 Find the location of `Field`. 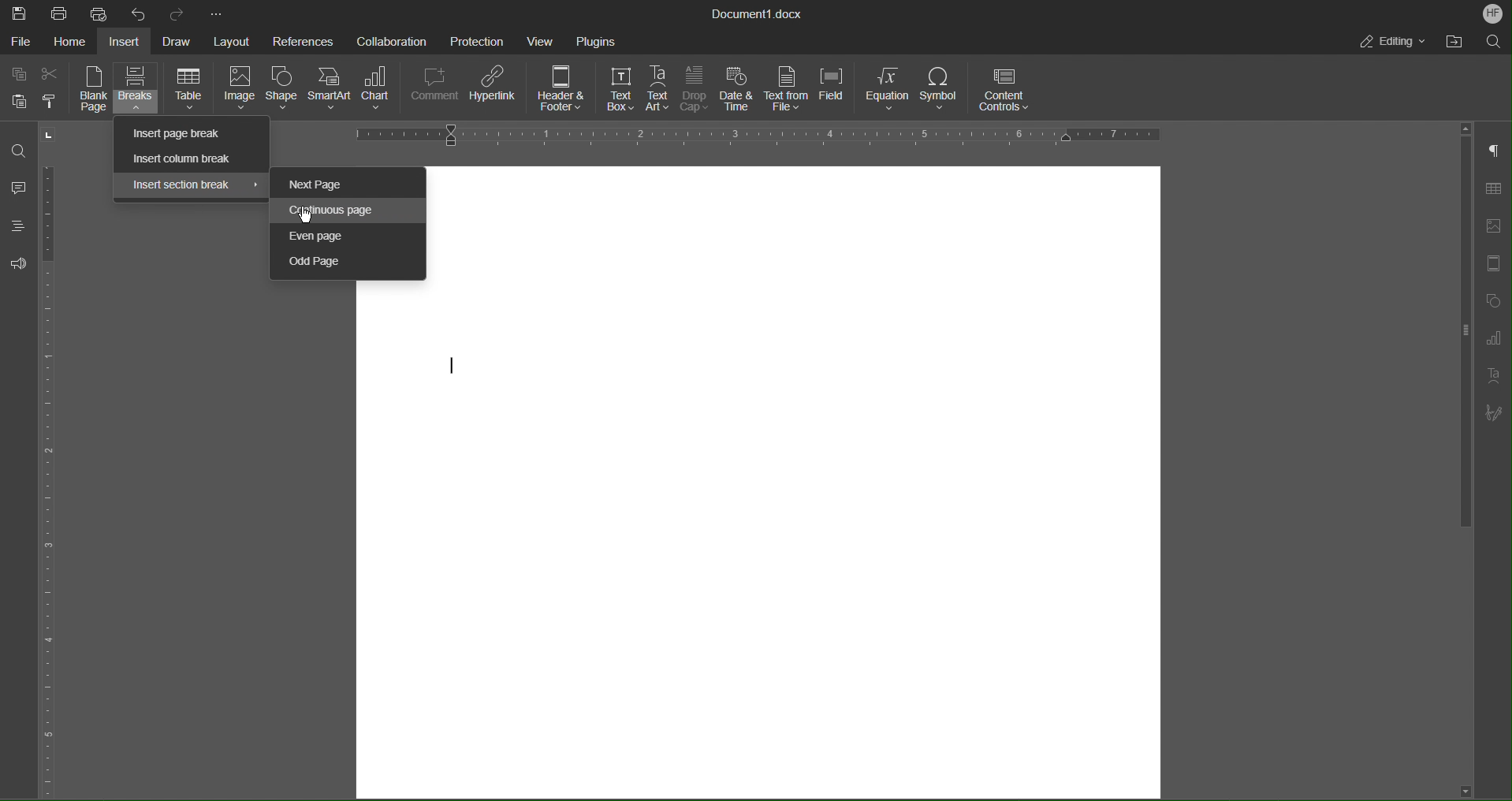

Field is located at coordinates (832, 90).